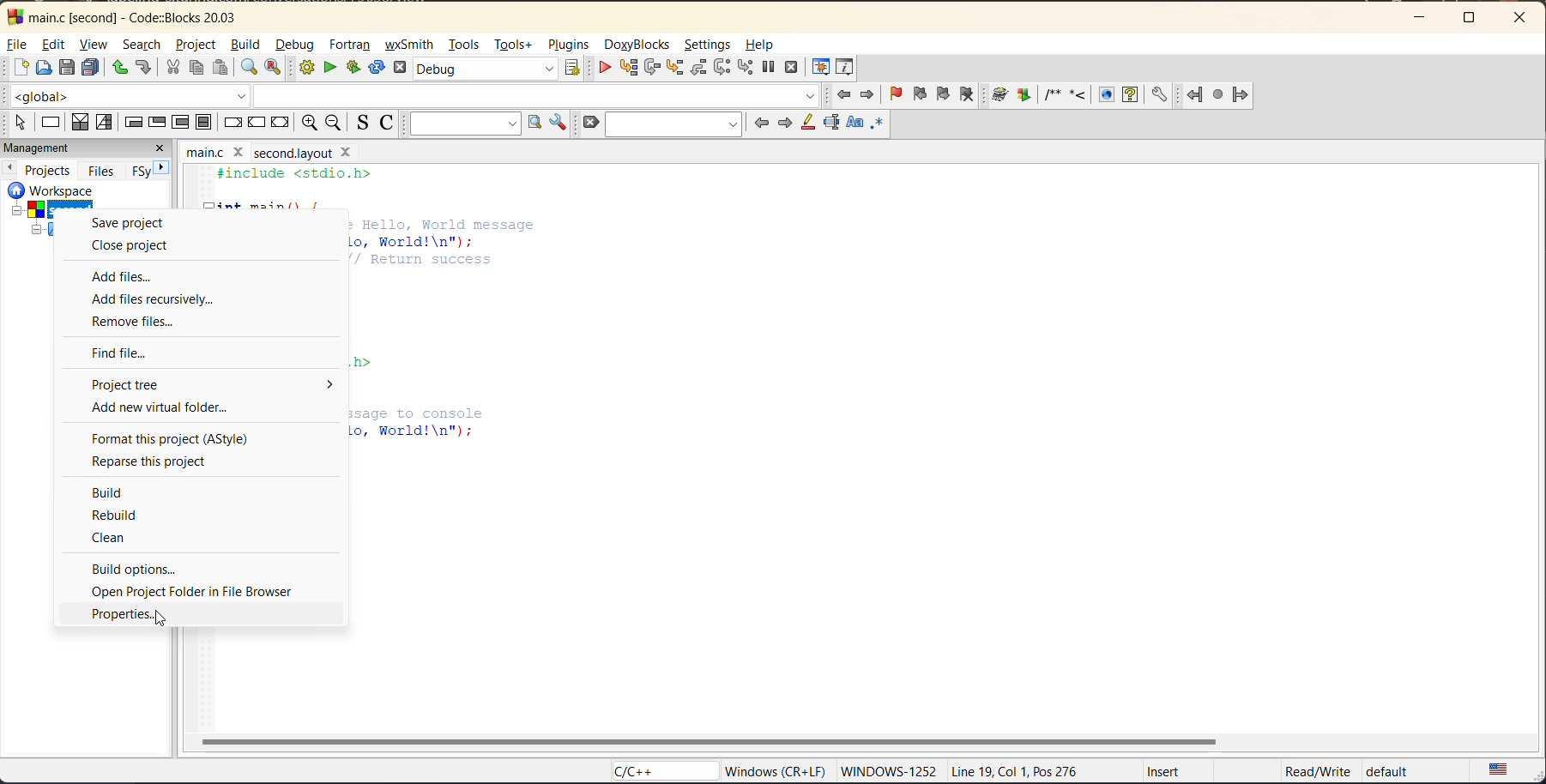  Describe the element at coordinates (306, 67) in the screenshot. I see `build` at that location.